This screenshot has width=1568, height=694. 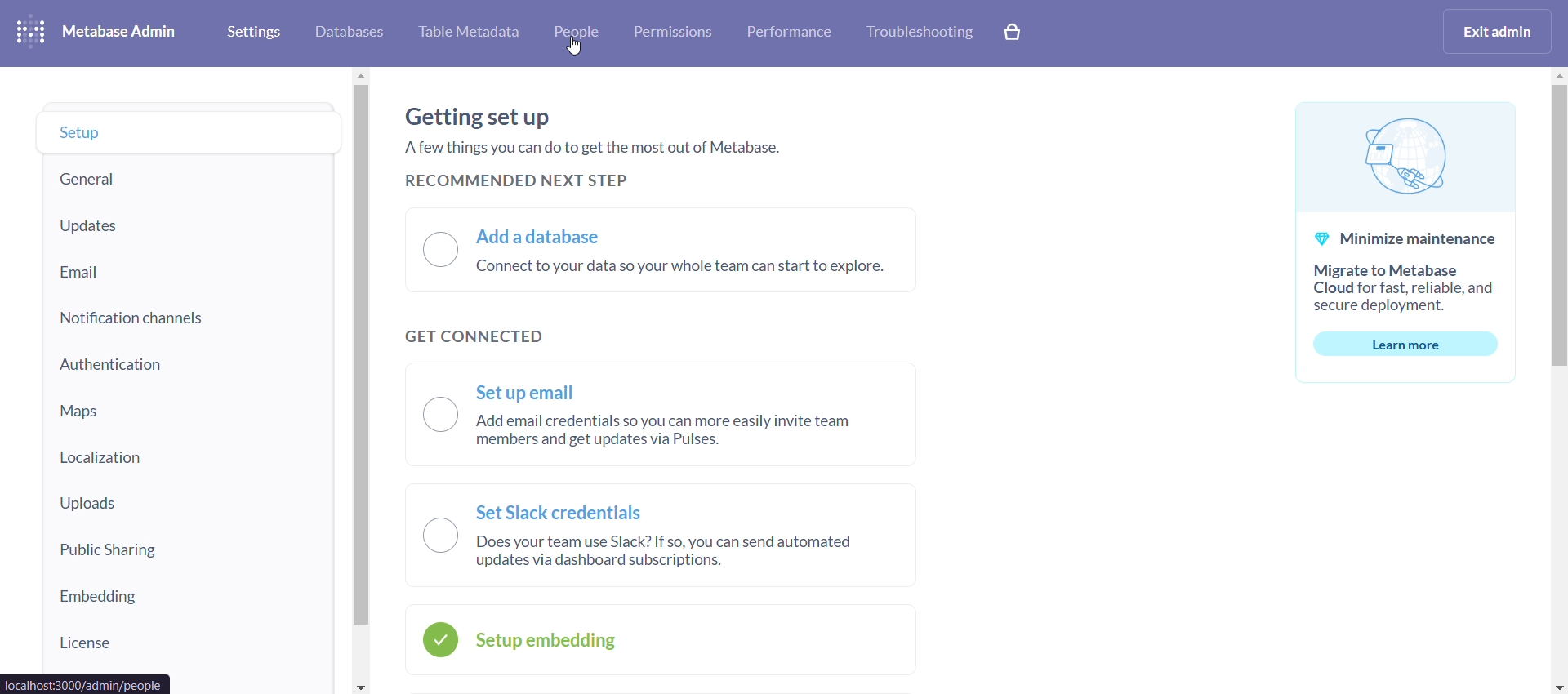 I want to click on troubleshooting, so click(x=918, y=33).